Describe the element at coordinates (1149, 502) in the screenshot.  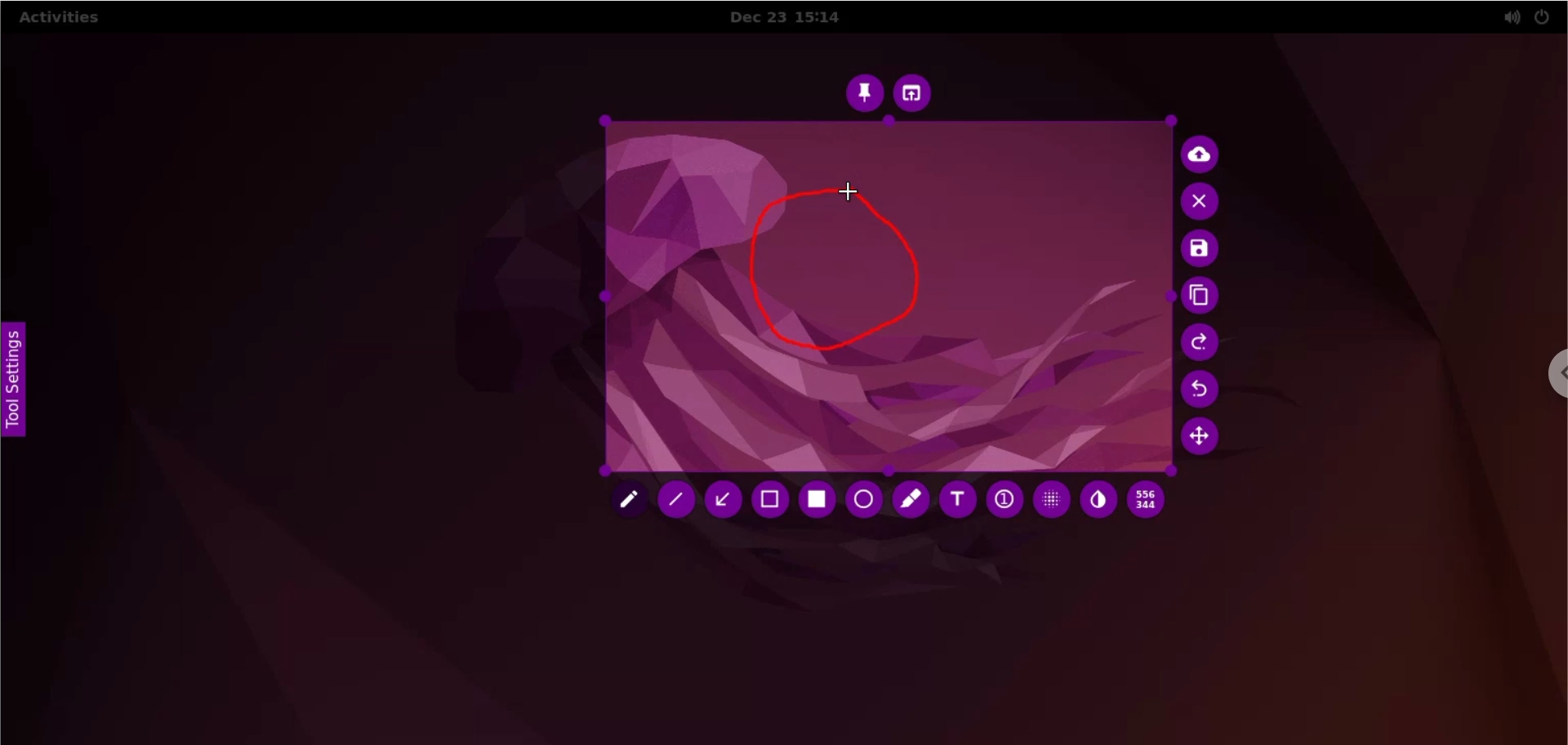
I see `x and y coordinates` at that location.